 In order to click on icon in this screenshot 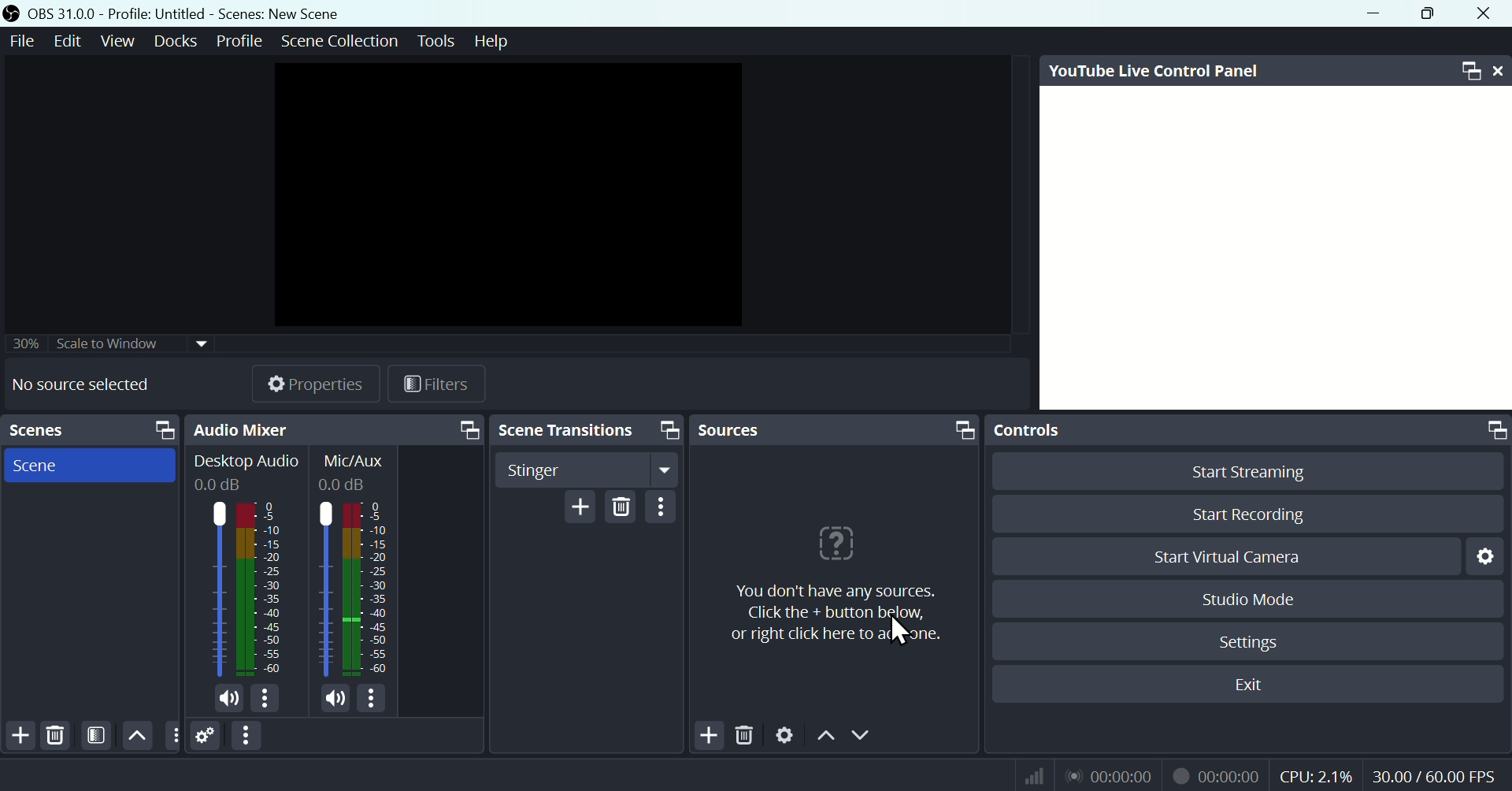, I will do `click(833, 542)`.